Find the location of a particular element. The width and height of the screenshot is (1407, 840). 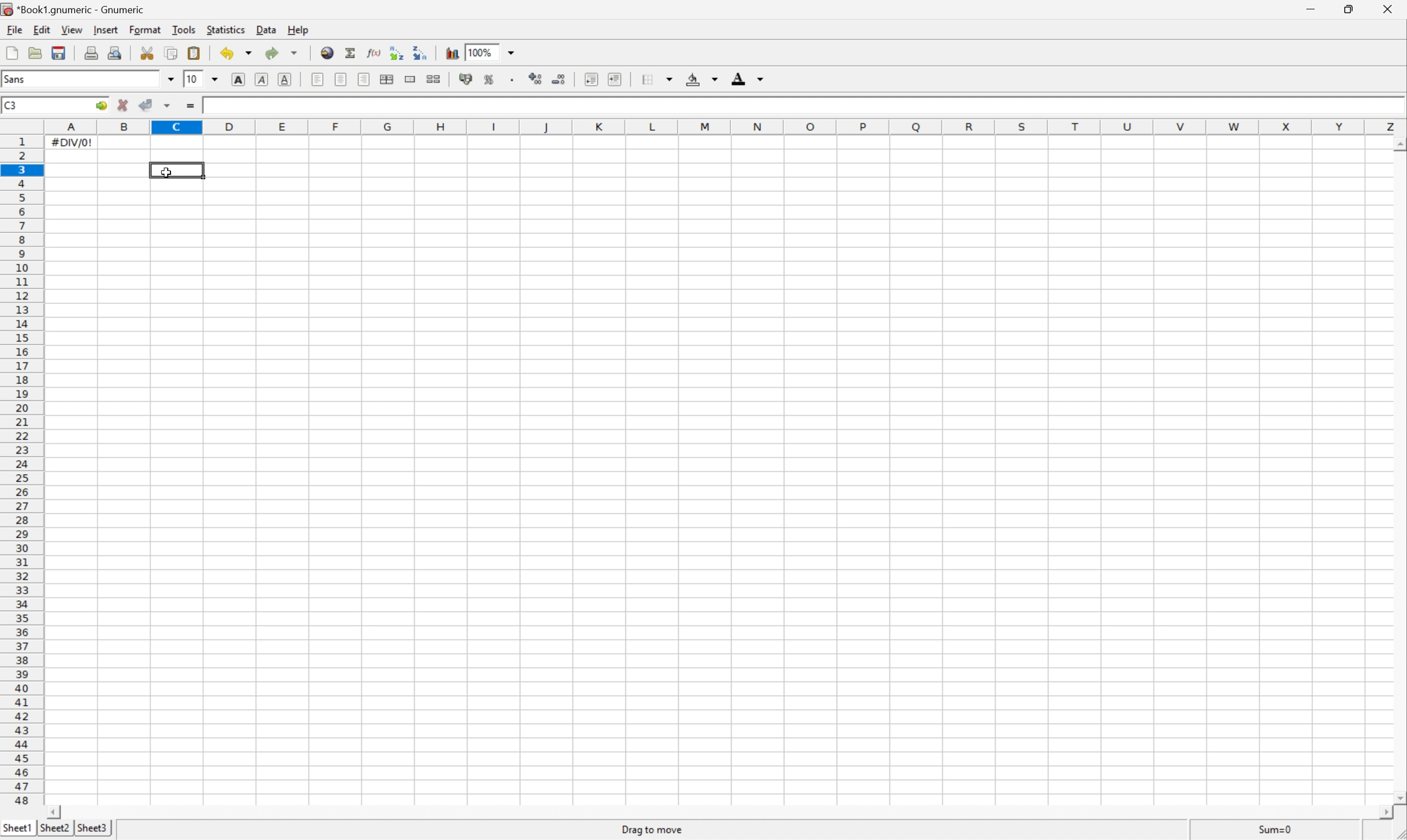

Print preview is located at coordinates (117, 53).